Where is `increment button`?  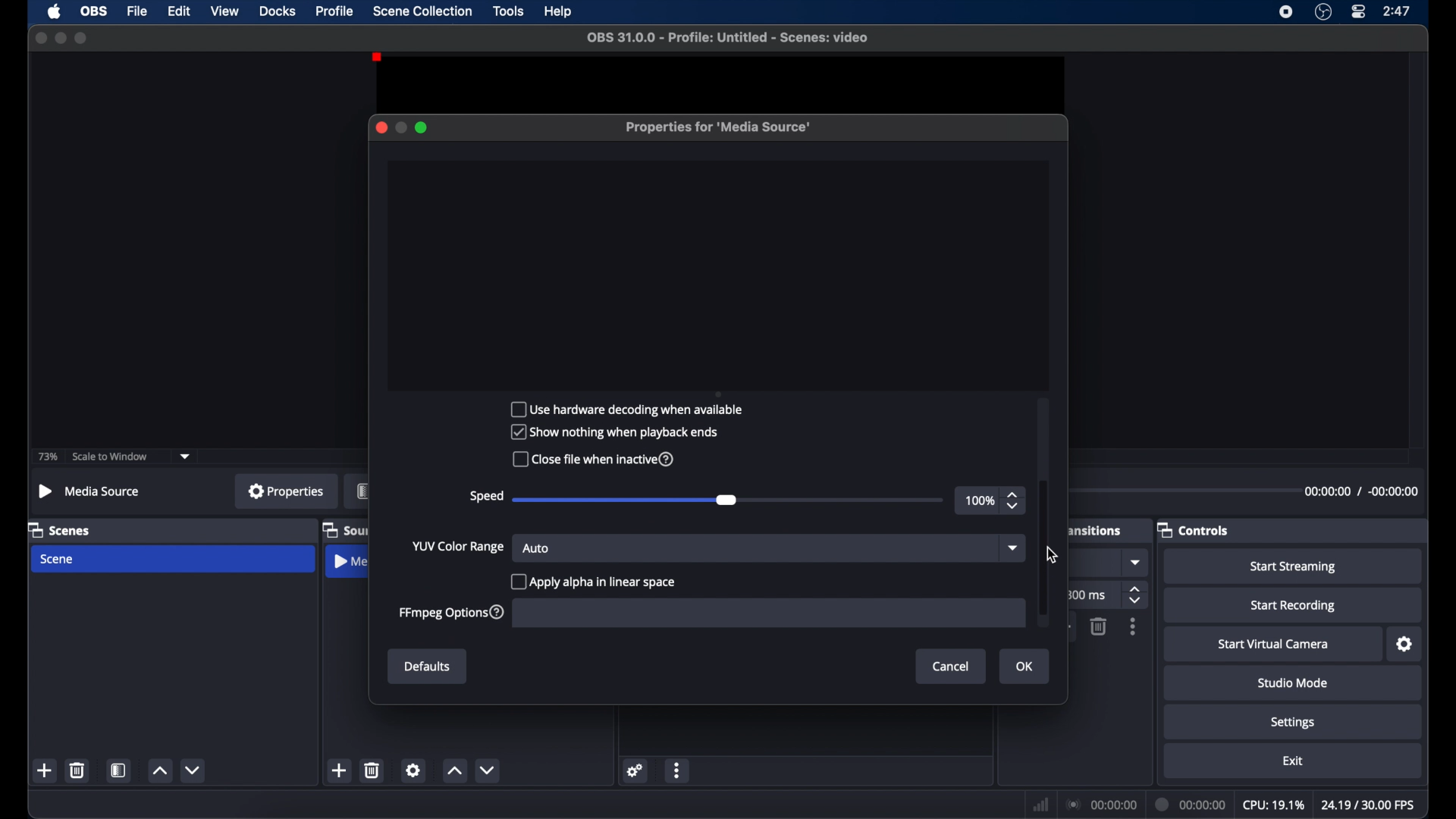 increment button is located at coordinates (159, 770).